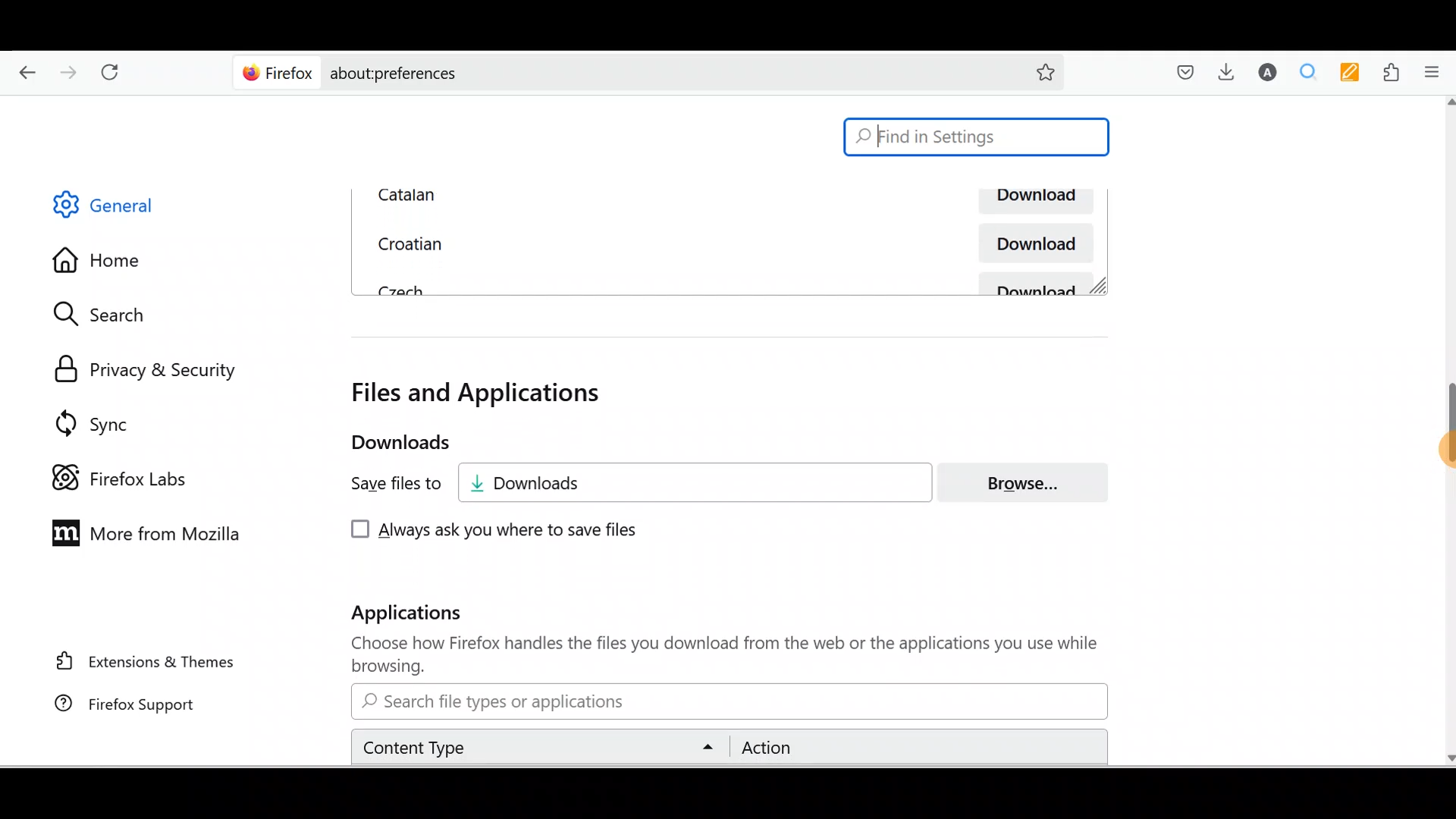  Describe the element at coordinates (491, 532) in the screenshot. I see `Always ask you where to save files` at that location.